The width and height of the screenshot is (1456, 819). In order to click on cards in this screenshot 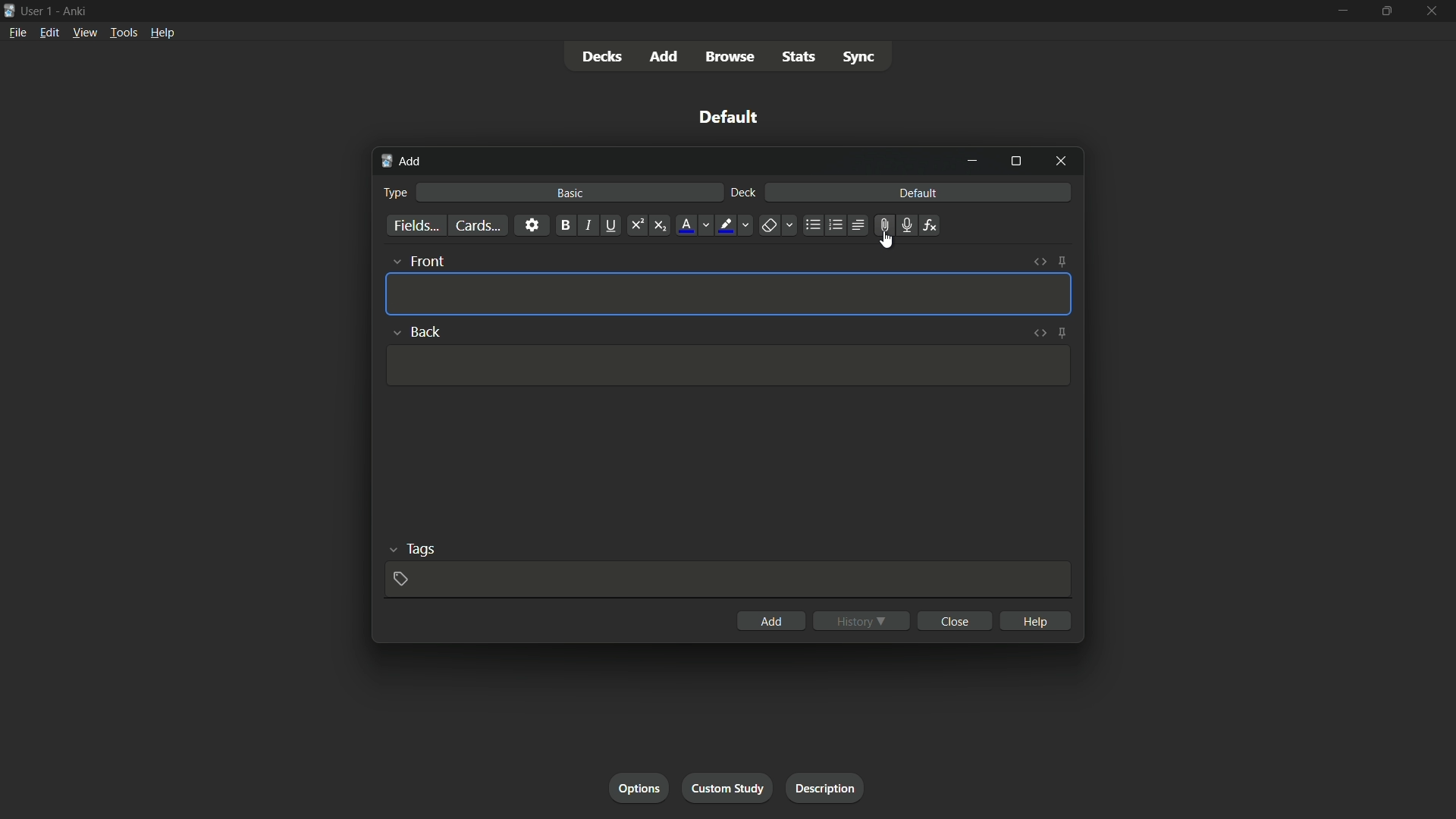, I will do `click(477, 225)`.